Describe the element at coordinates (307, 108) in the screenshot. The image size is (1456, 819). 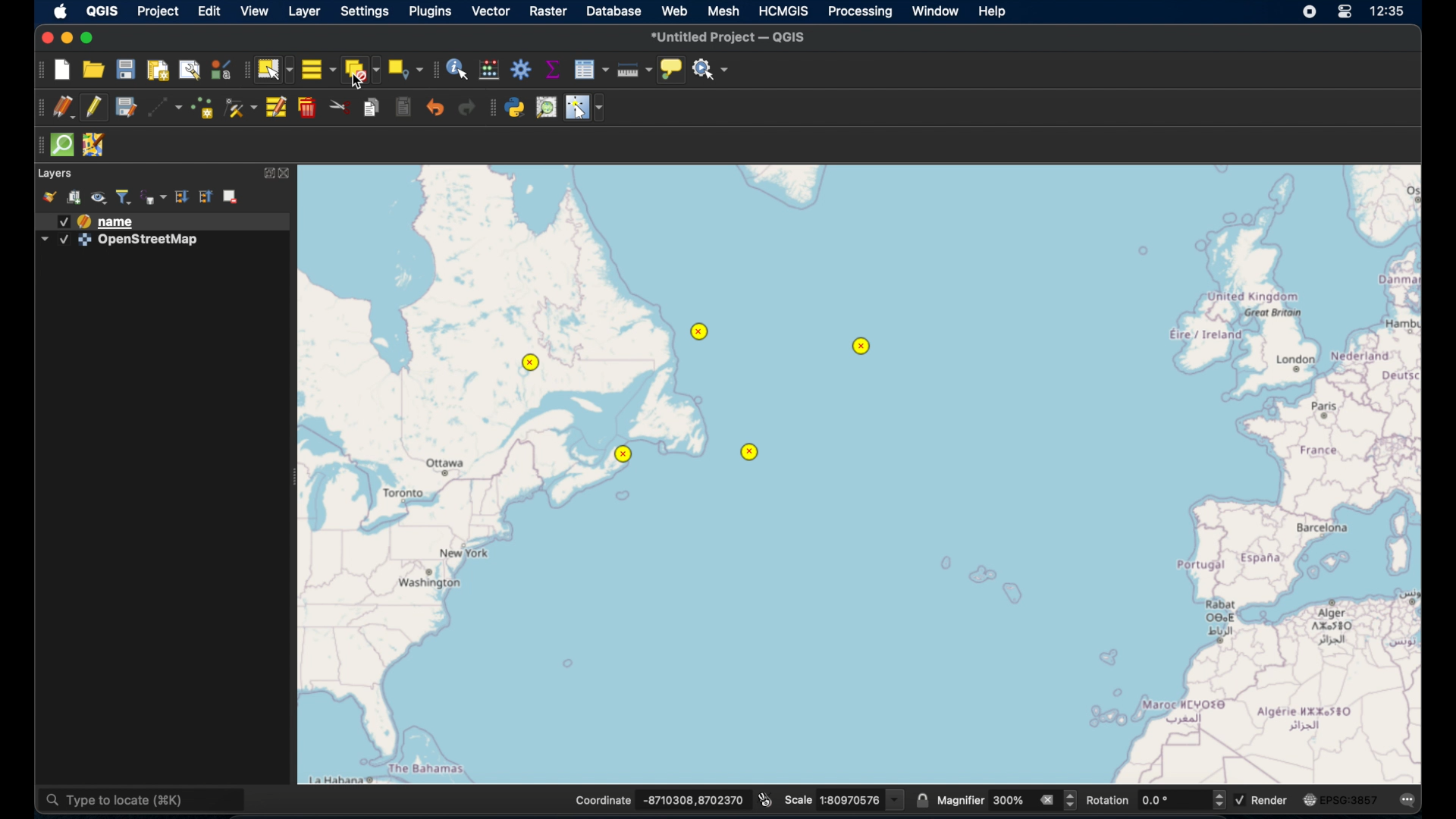
I see `delete selected ` at that location.